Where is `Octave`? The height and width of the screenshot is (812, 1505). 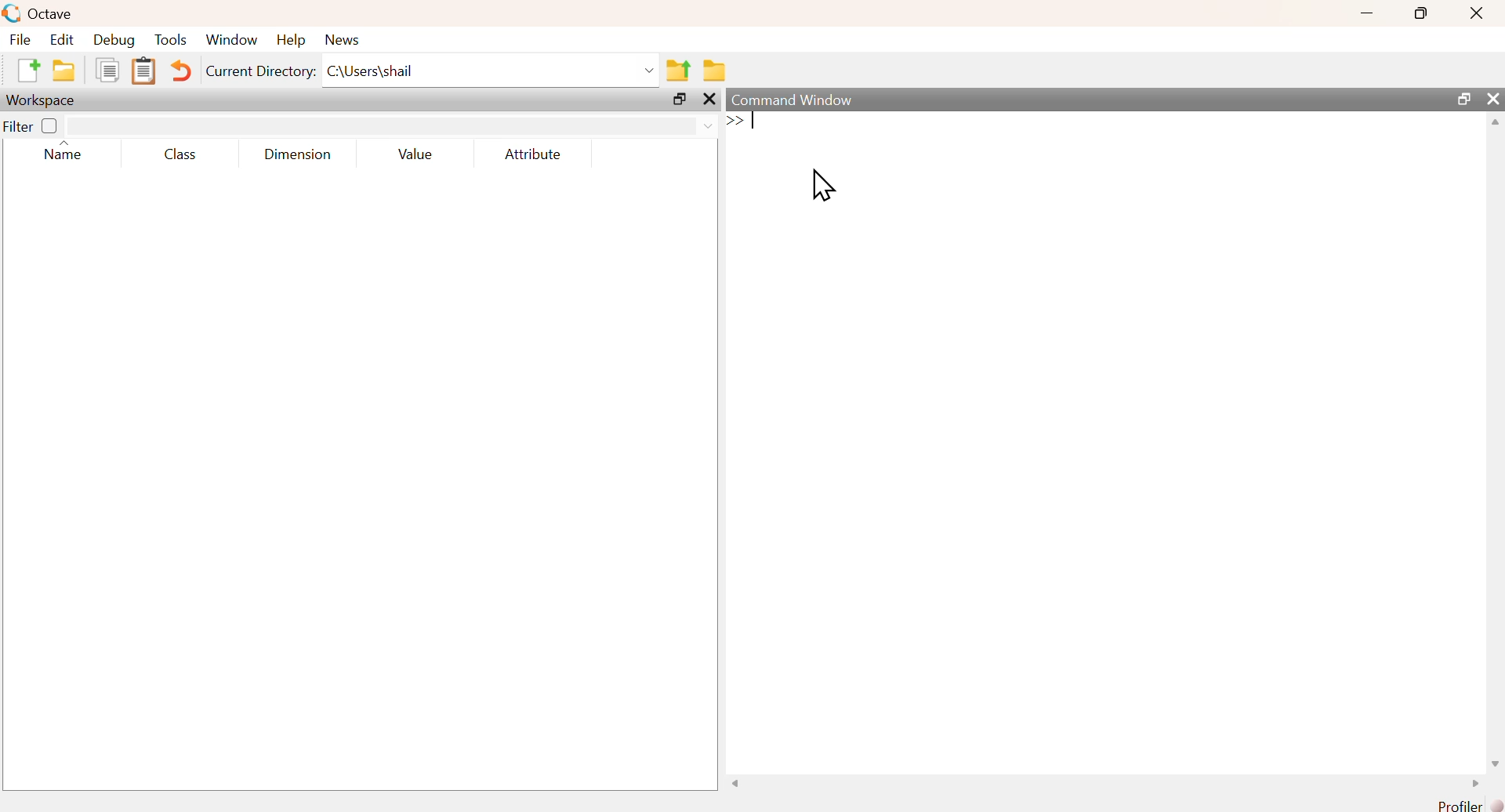
Octave is located at coordinates (53, 14).